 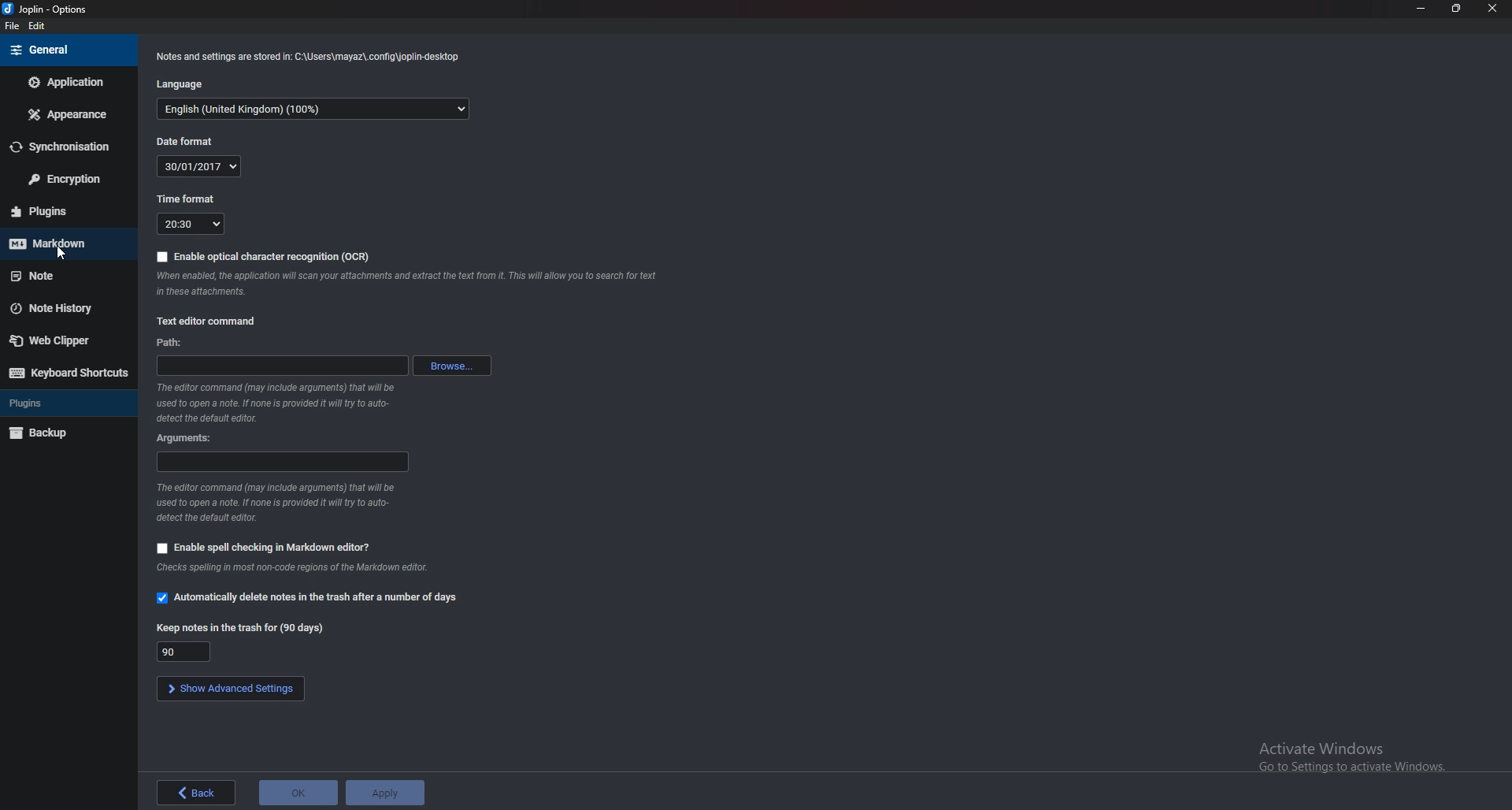 I want to click on cursor, so click(x=56, y=256).